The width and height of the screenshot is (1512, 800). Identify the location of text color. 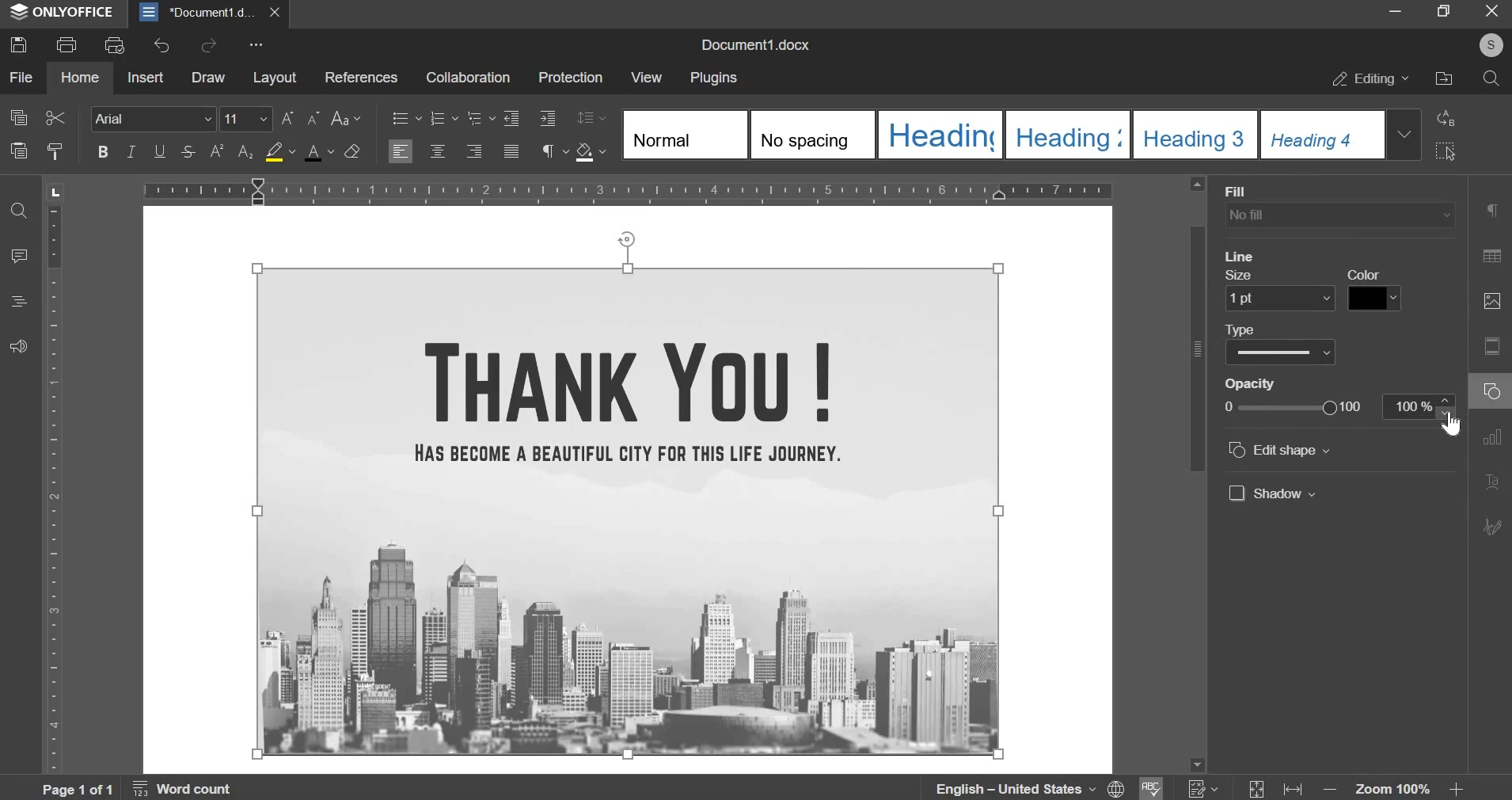
(318, 151).